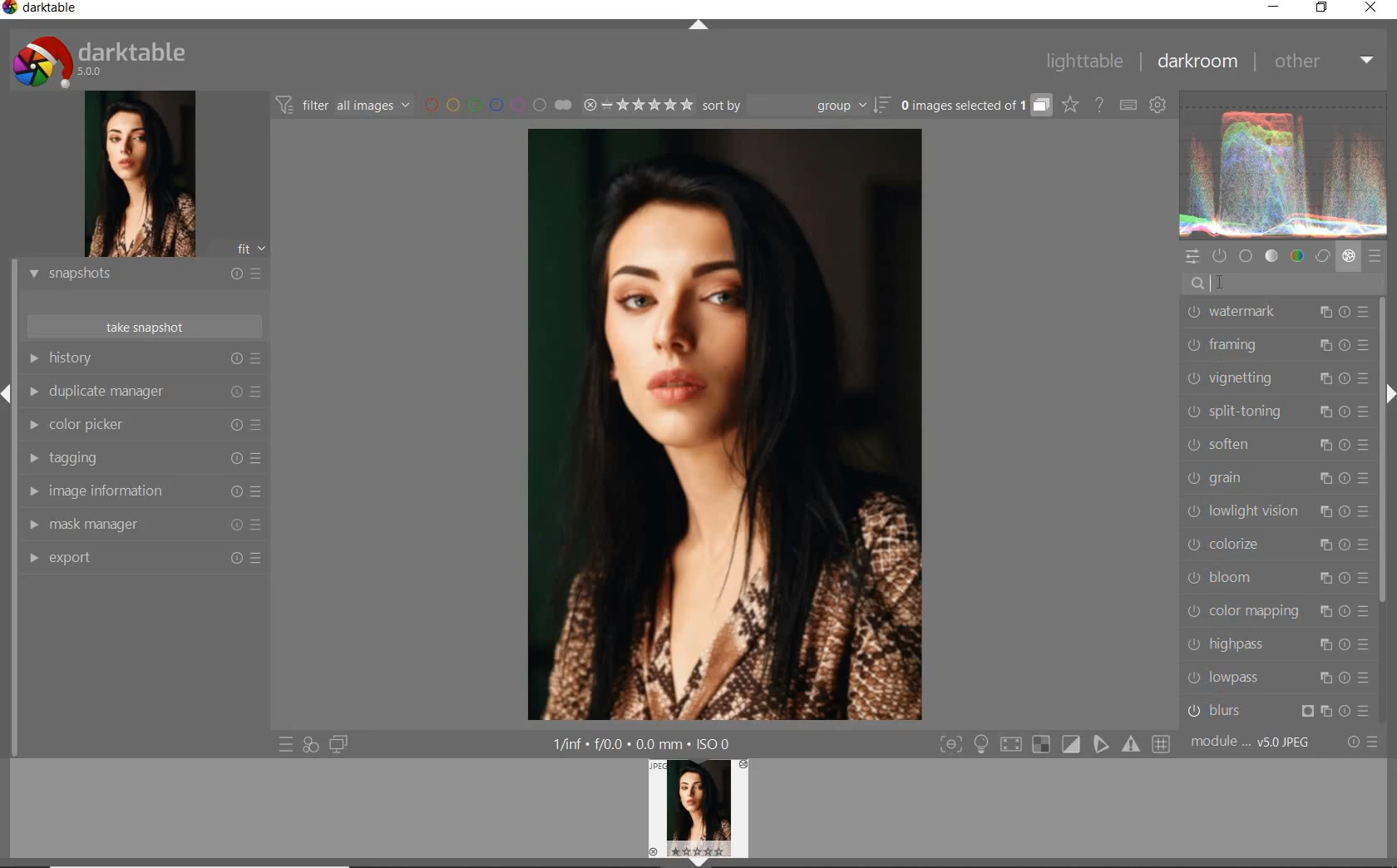  Describe the element at coordinates (1278, 676) in the screenshot. I see `lowpass` at that location.